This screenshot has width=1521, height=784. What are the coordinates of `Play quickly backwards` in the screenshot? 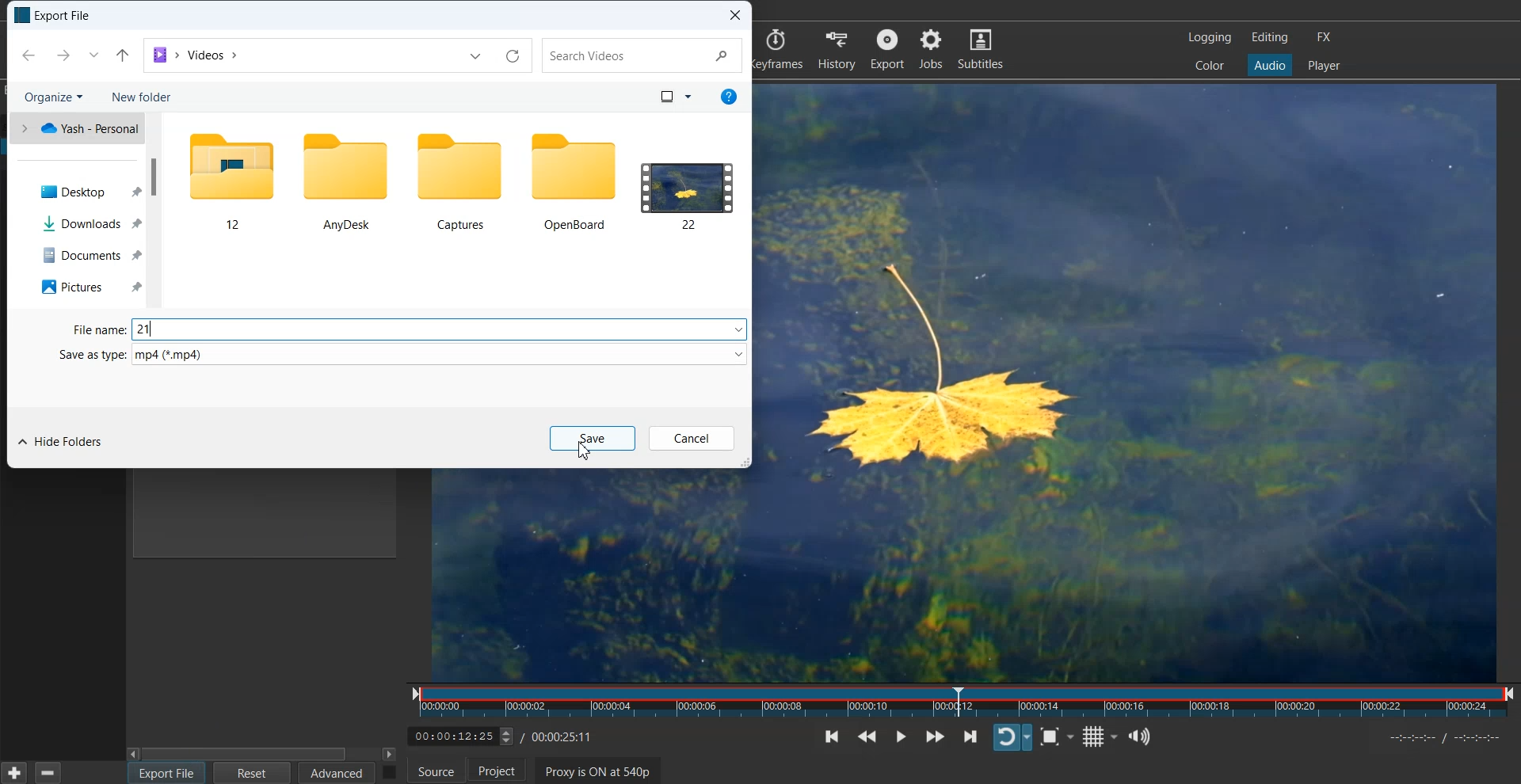 It's located at (874, 736).